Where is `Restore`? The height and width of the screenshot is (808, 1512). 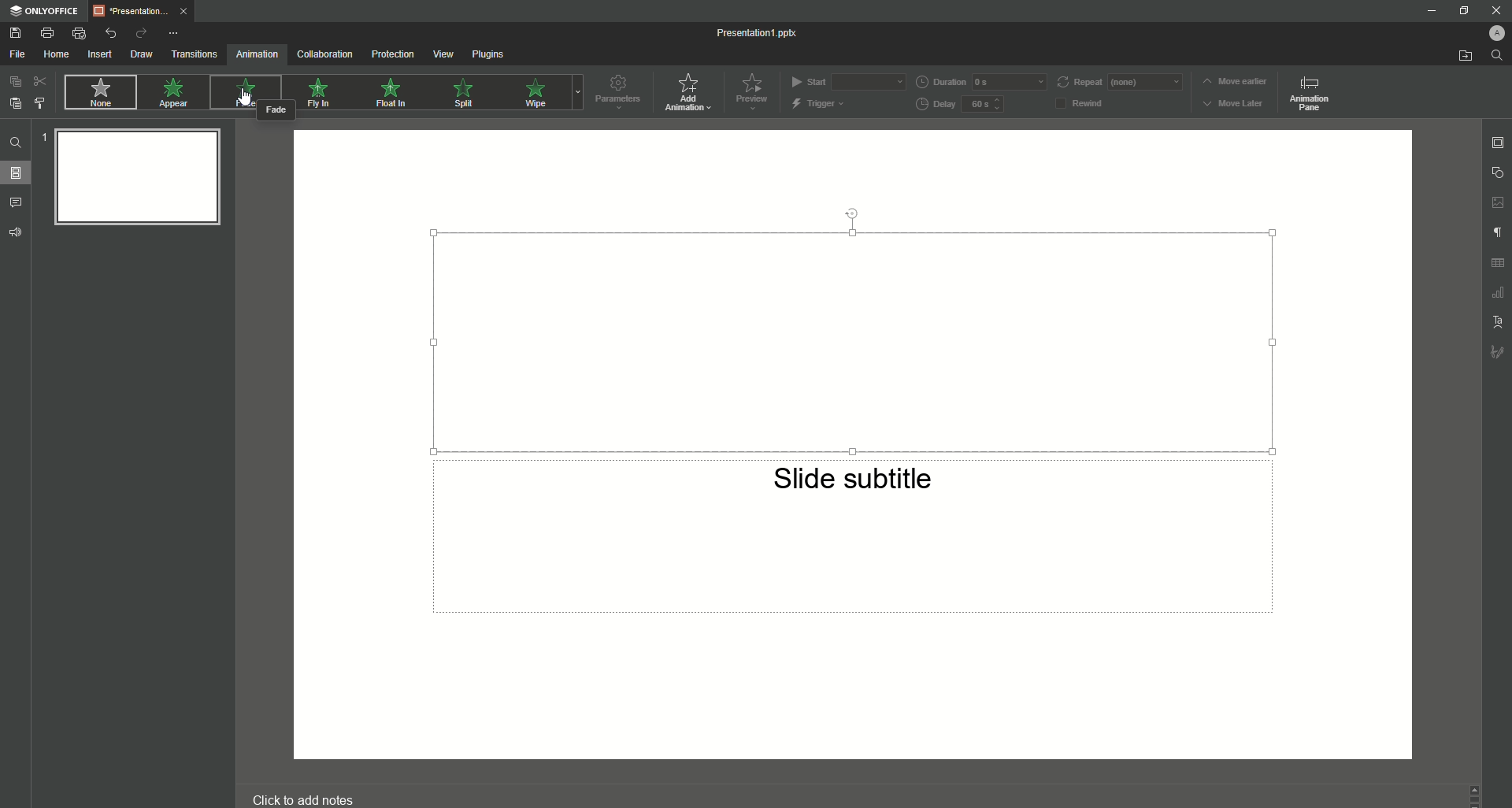
Restore is located at coordinates (1462, 11).